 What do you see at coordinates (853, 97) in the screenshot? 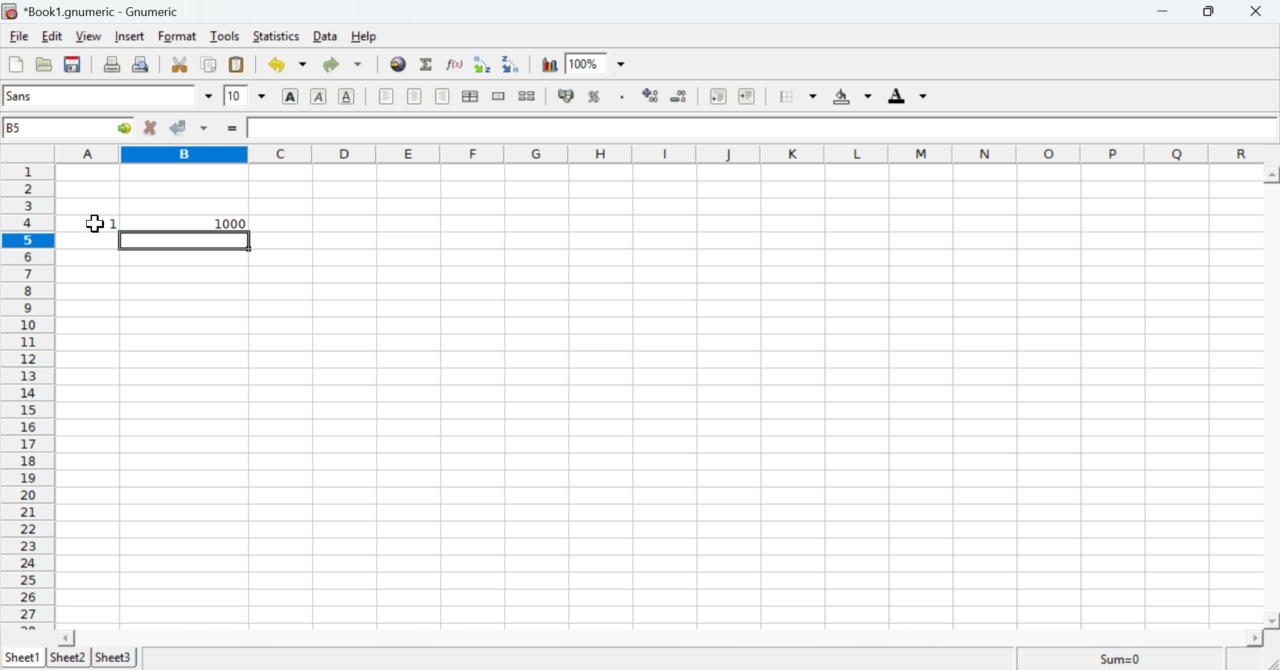
I see `Background` at bounding box center [853, 97].